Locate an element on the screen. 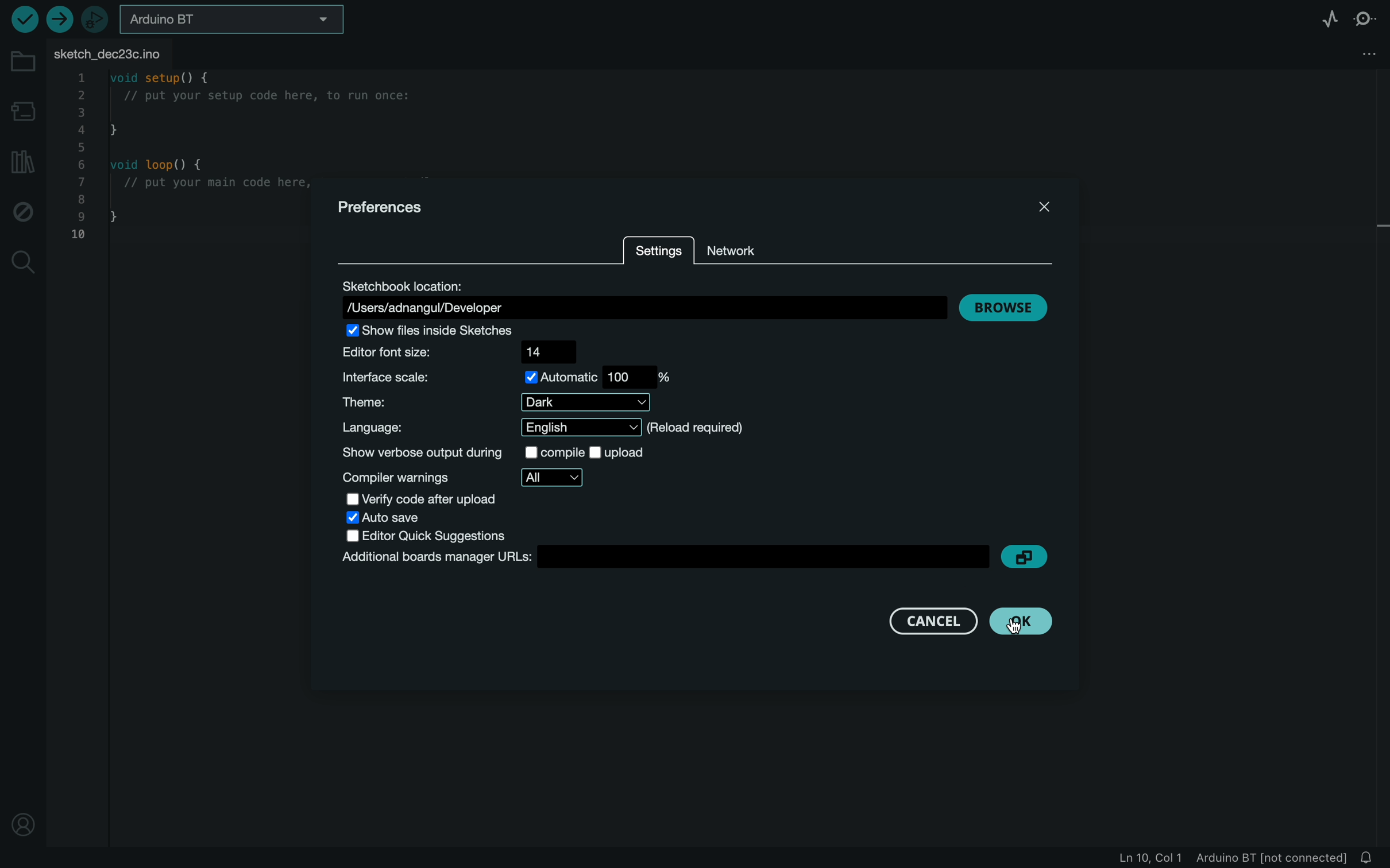 This screenshot has height=868, width=1390. location is located at coordinates (639, 297).